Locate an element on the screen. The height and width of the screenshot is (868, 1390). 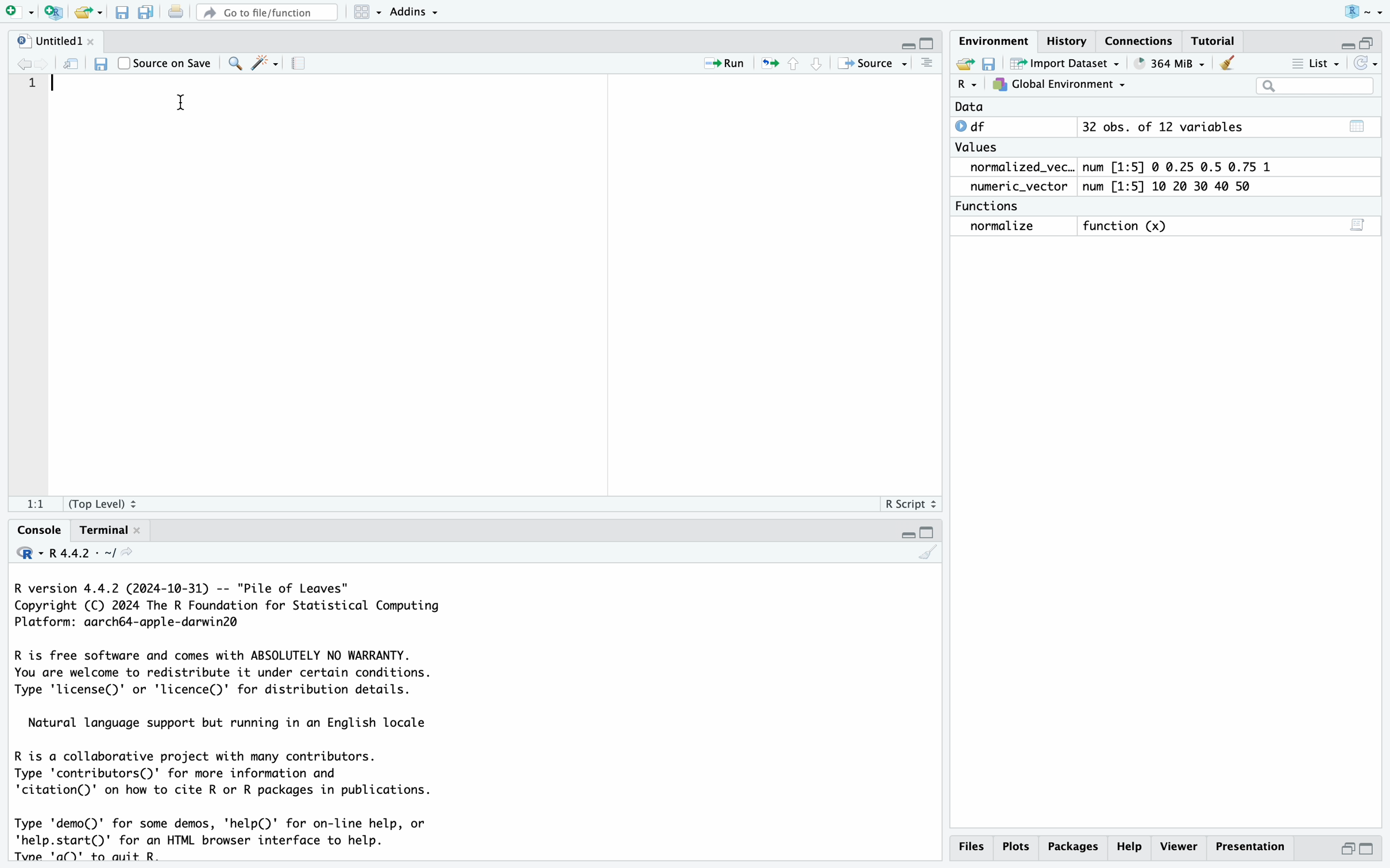
Controls is located at coordinates (793, 63).